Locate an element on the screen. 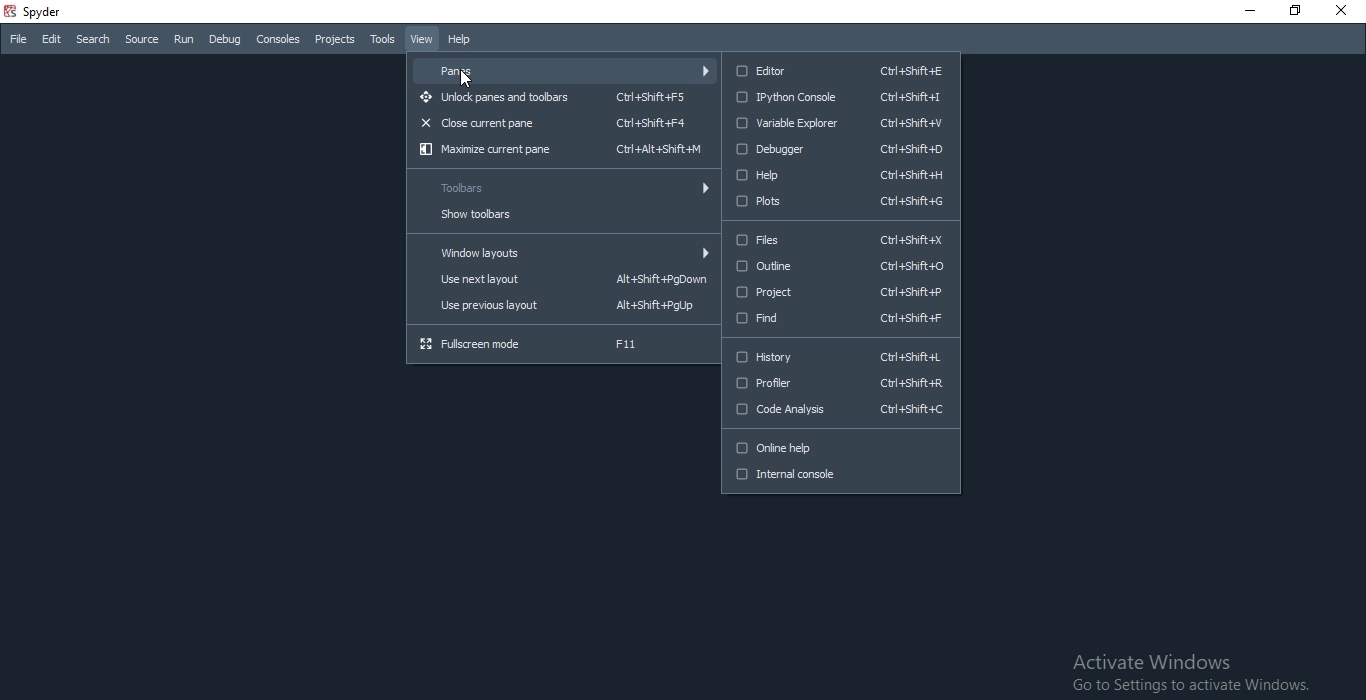 This screenshot has height=700, width=1366. Debug is located at coordinates (227, 41).